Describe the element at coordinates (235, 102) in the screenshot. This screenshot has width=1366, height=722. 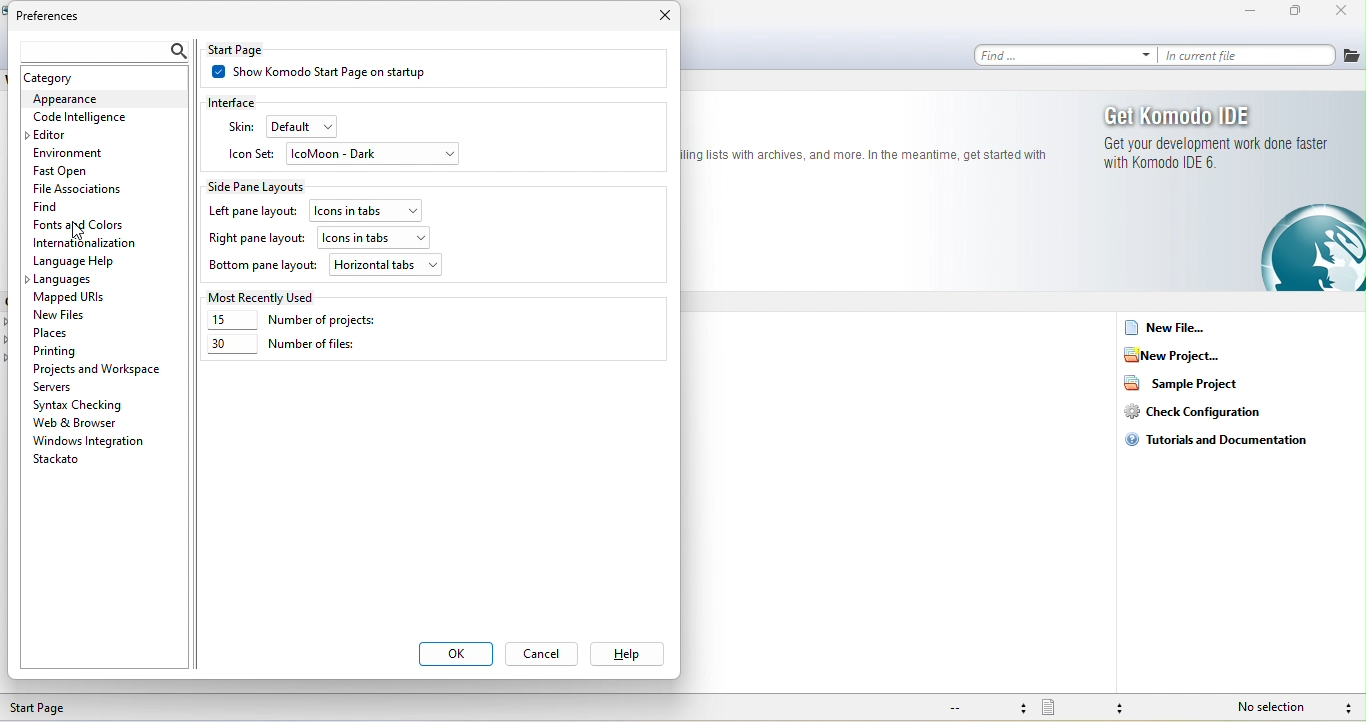
I see `interface` at that location.